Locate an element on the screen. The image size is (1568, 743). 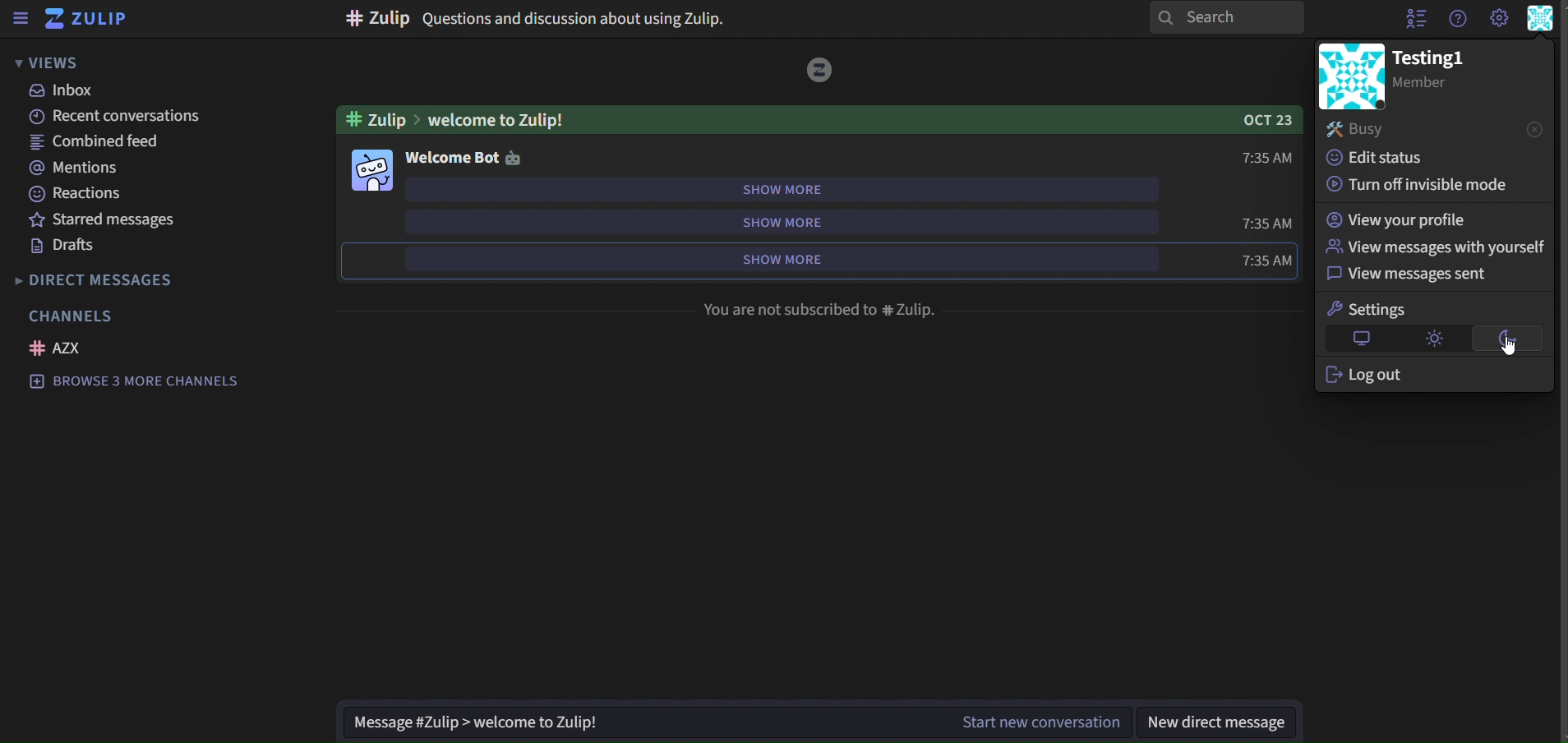
text is located at coordinates (821, 309).